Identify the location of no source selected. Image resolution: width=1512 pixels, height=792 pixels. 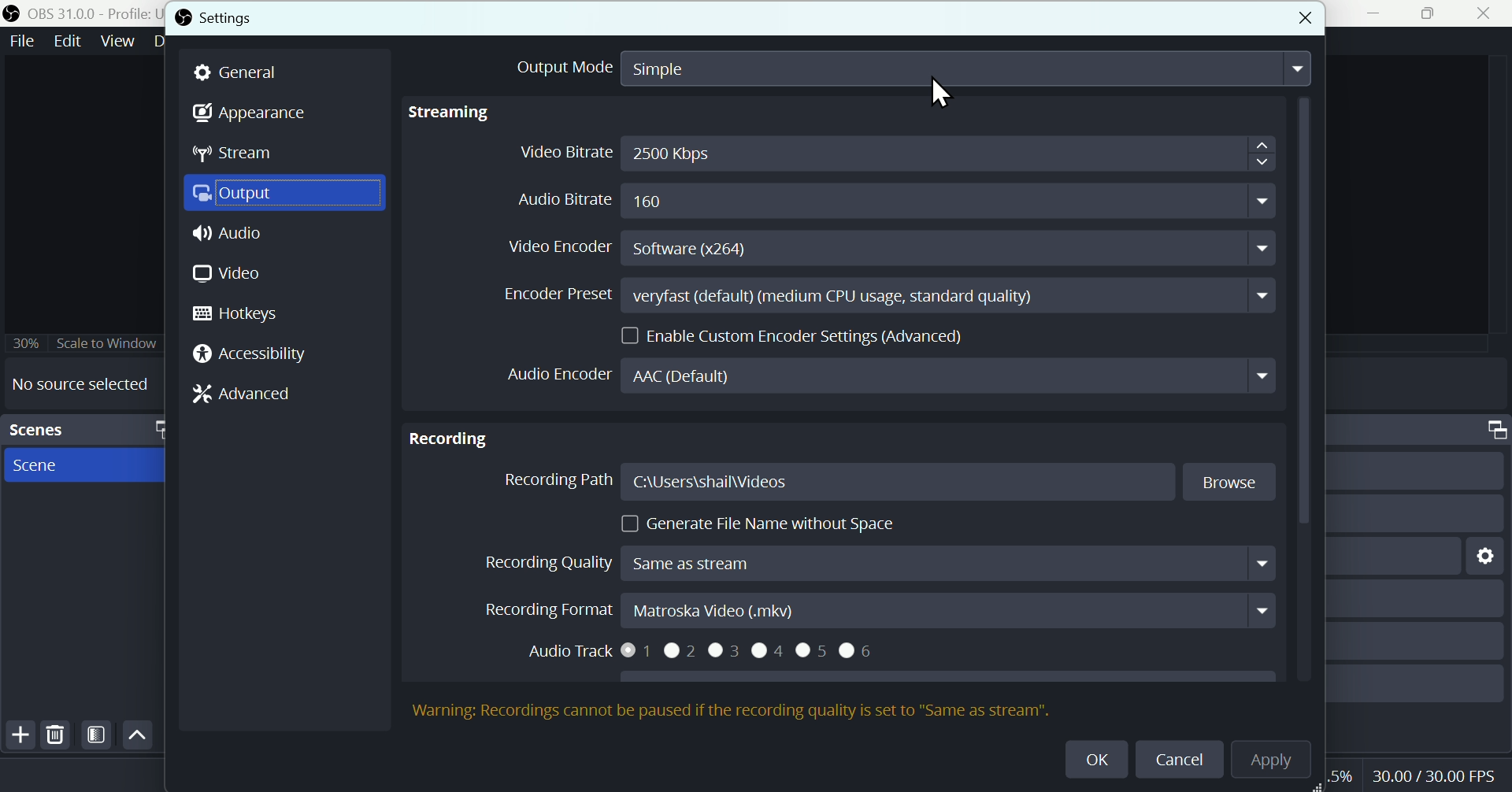
(76, 384).